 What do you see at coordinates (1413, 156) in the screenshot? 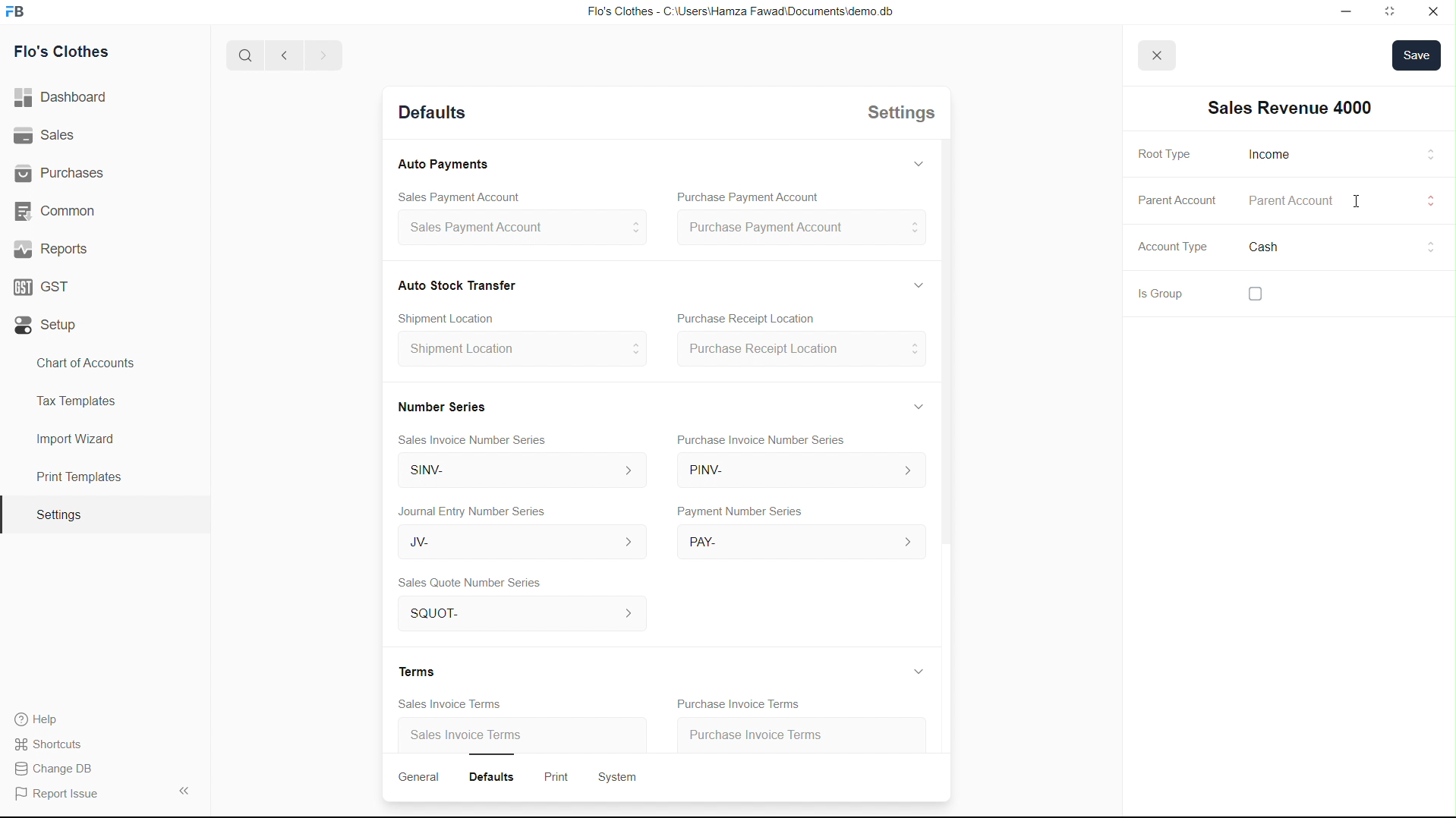
I see `` at bounding box center [1413, 156].